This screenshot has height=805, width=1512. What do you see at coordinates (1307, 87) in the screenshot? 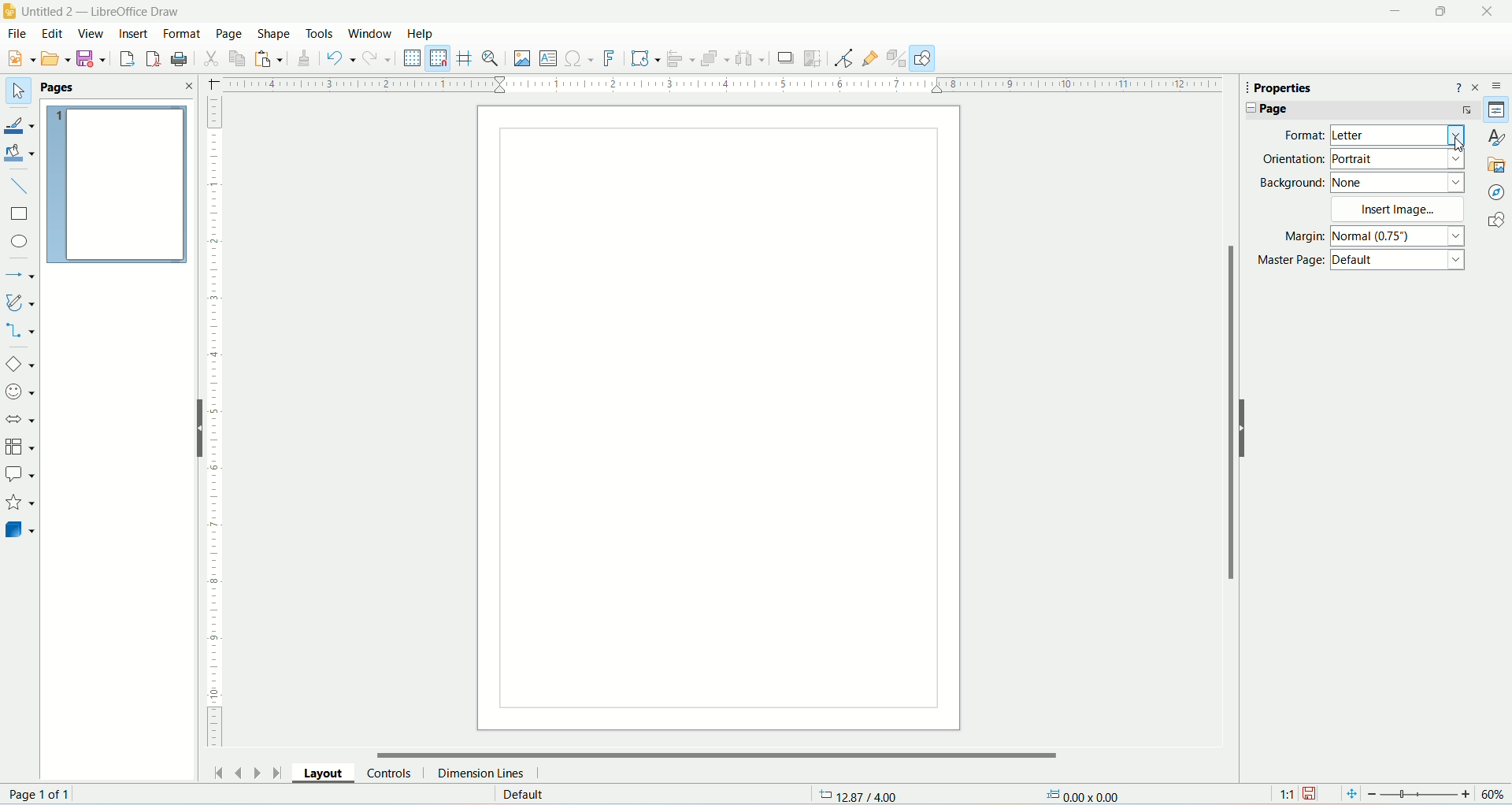
I see `properties` at bounding box center [1307, 87].